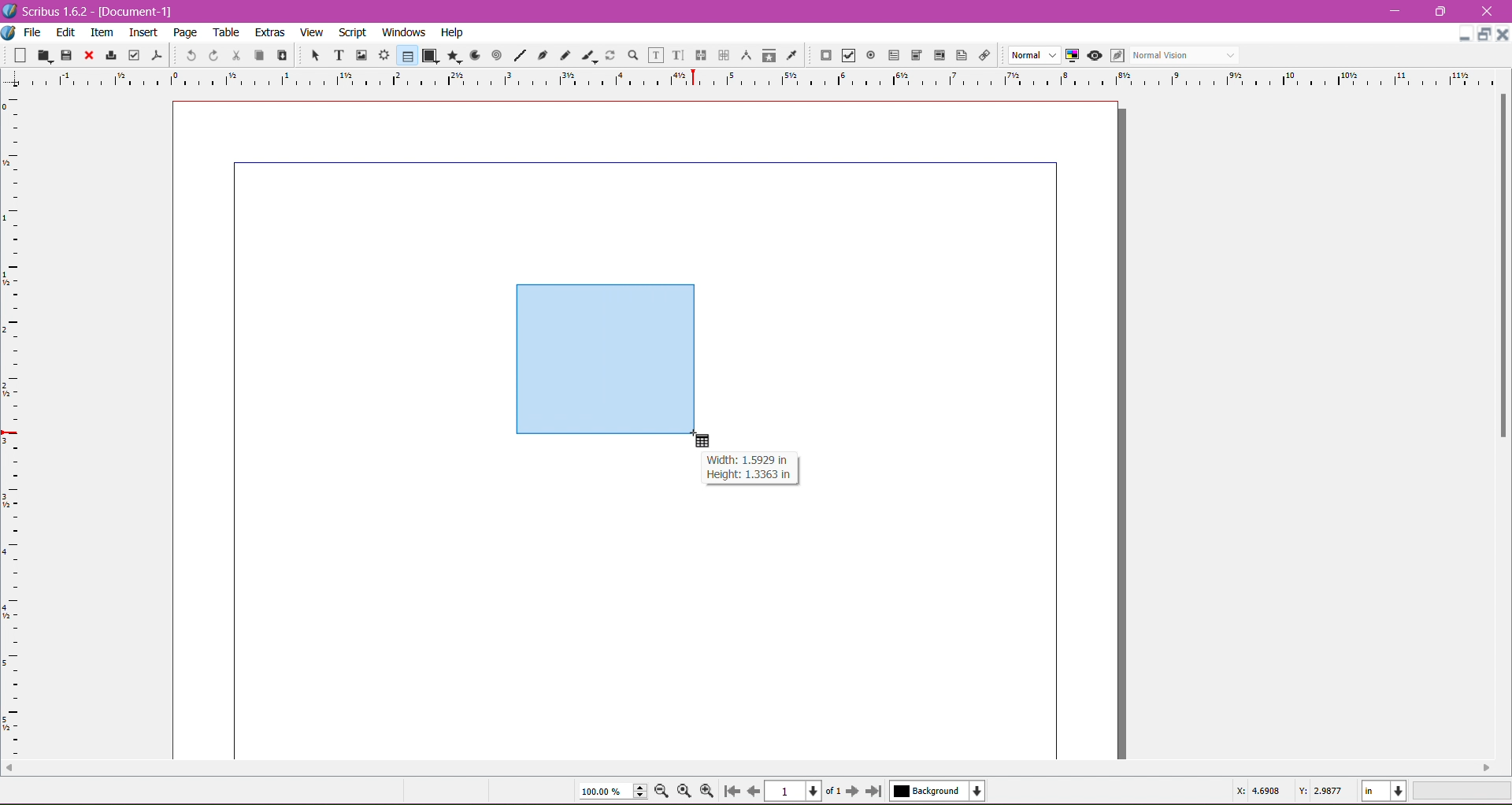 Image resolution: width=1512 pixels, height=805 pixels. What do you see at coordinates (20, 426) in the screenshot?
I see `Grid` at bounding box center [20, 426].